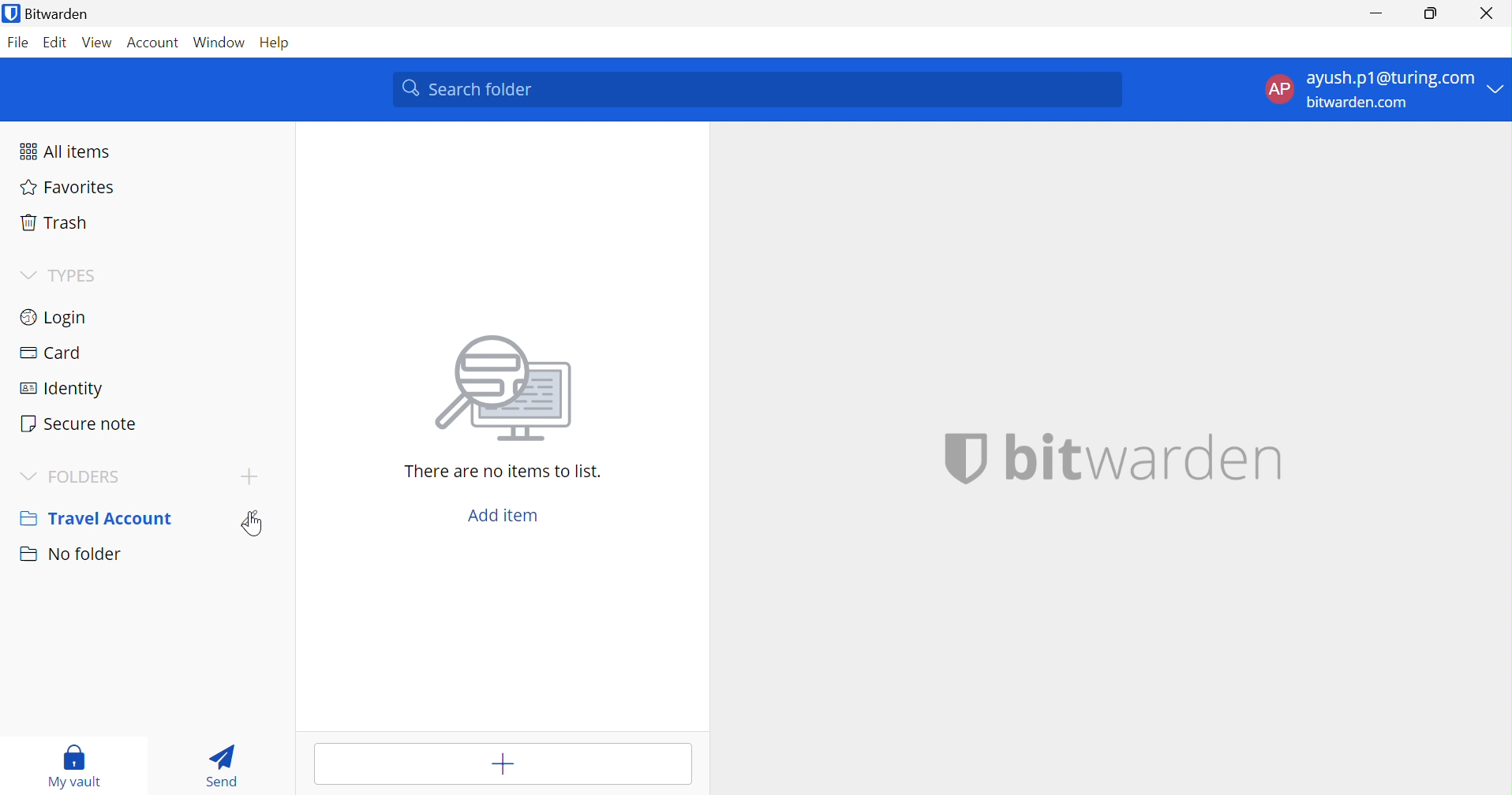  I want to click on Identity, so click(65, 388).